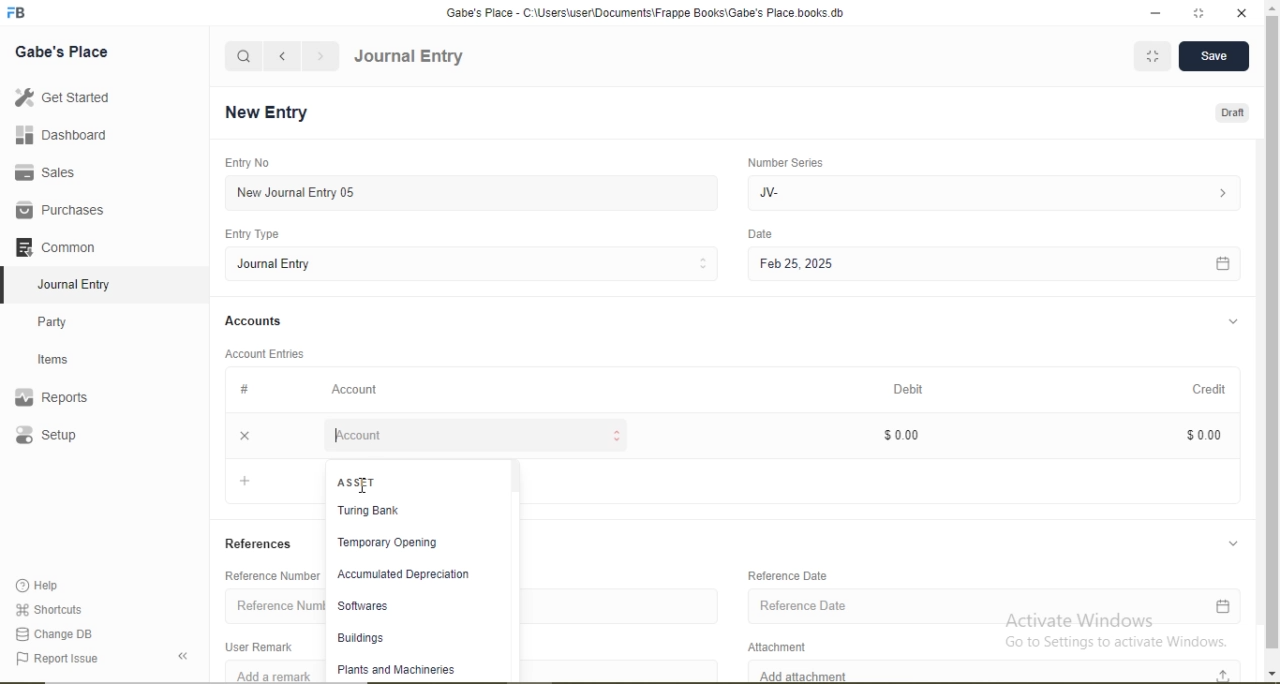 This screenshot has width=1280, height=684. What do you see at coordinates (1238, 541) in the screenshot?
I see `collapse/expand` at bounding box center [1238, 541].